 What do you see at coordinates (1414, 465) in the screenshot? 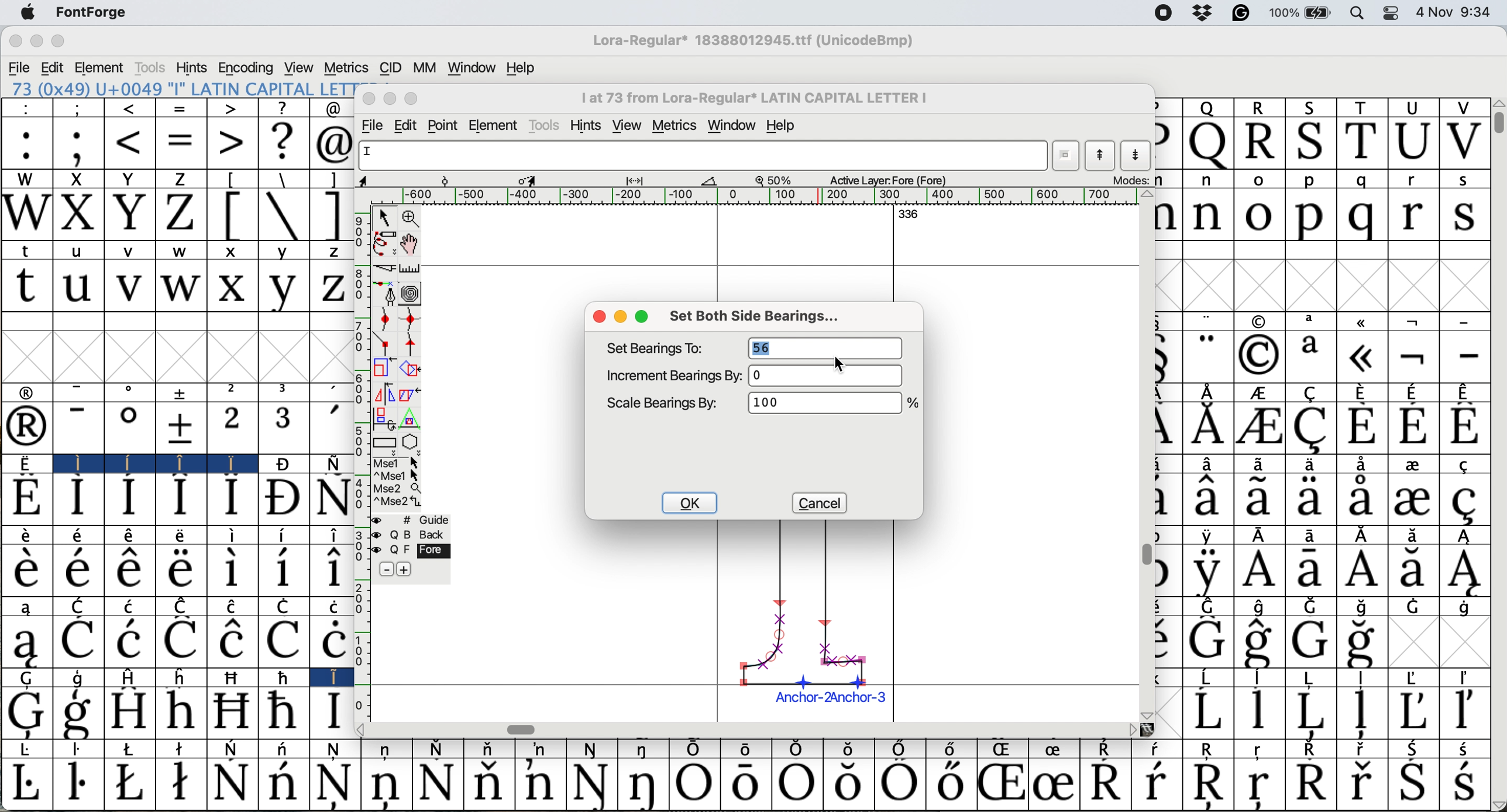
I see `Symbol` at bounding box center [1414, 465].